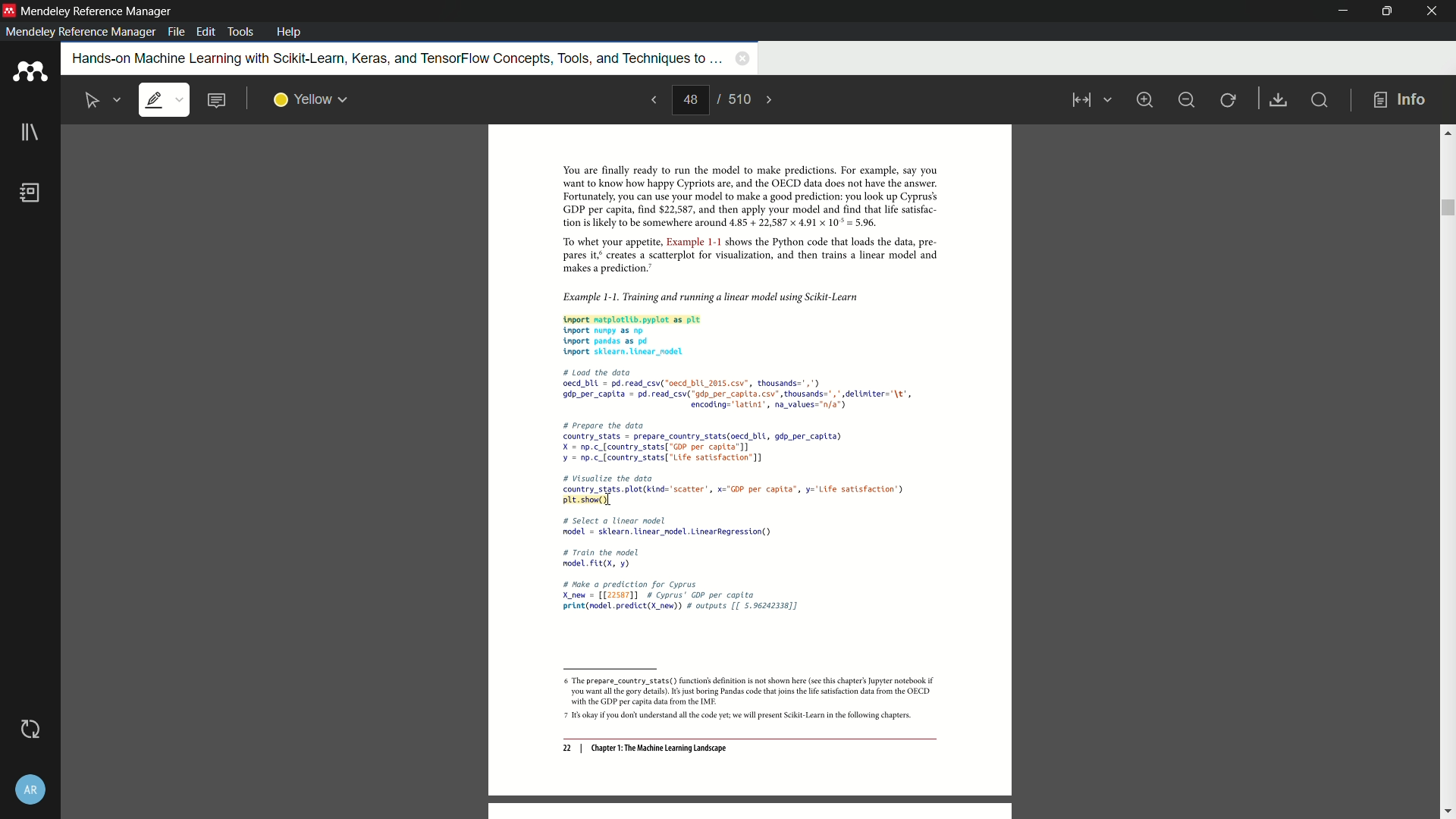  I want to click on app icon, so click(30, 72).